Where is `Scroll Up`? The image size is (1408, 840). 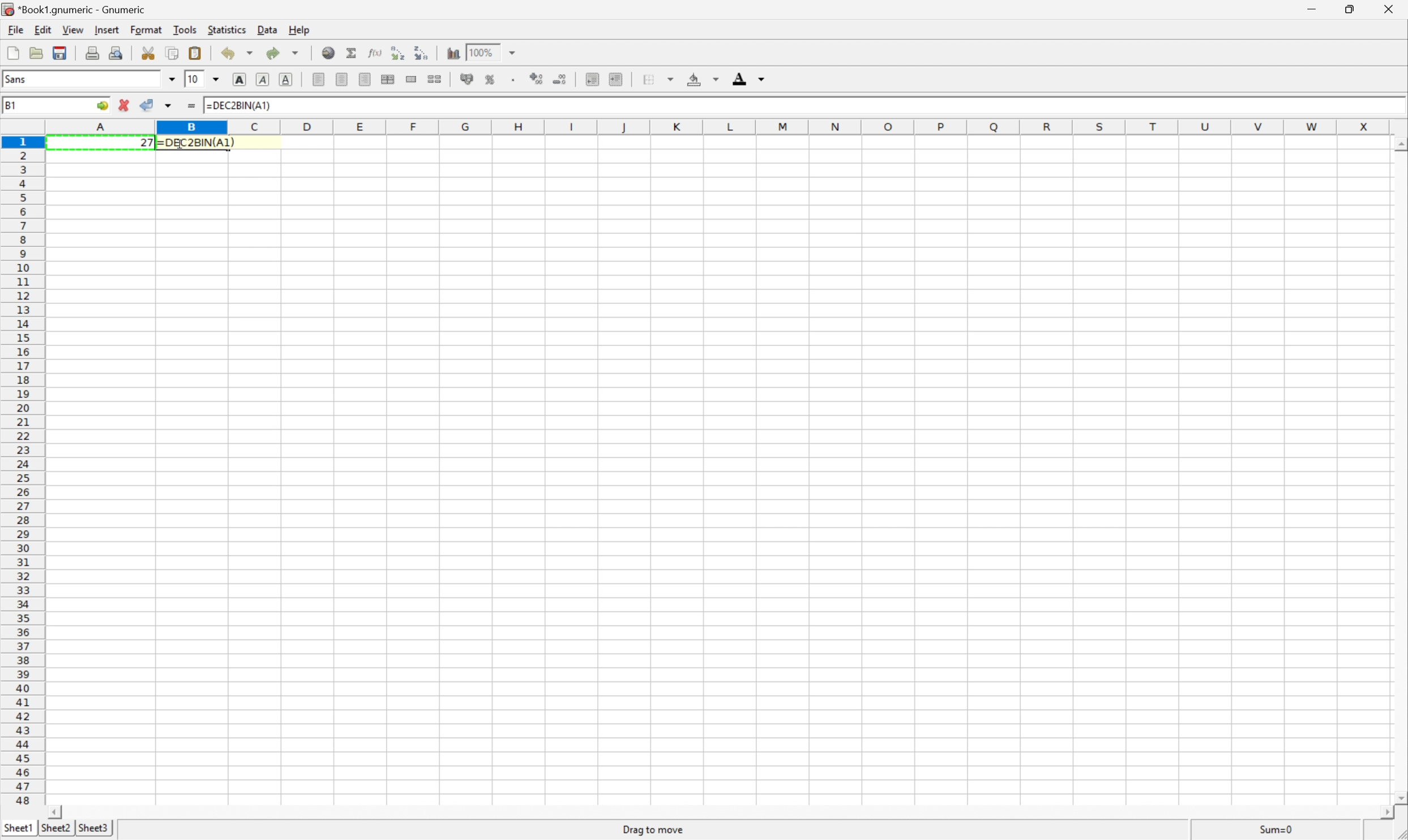 Scroll Up is located at coordinates (1399, 147).